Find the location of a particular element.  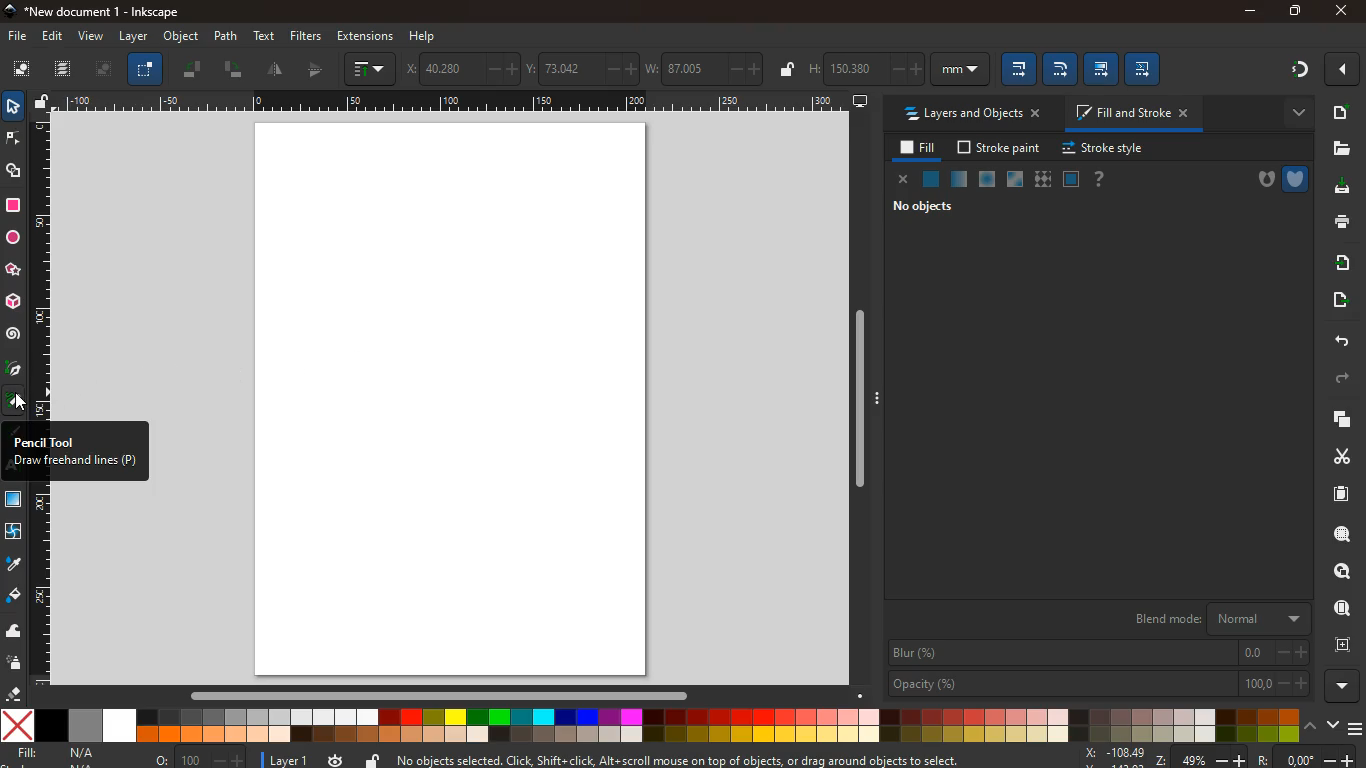

help is located at coordinates (1097, 179).